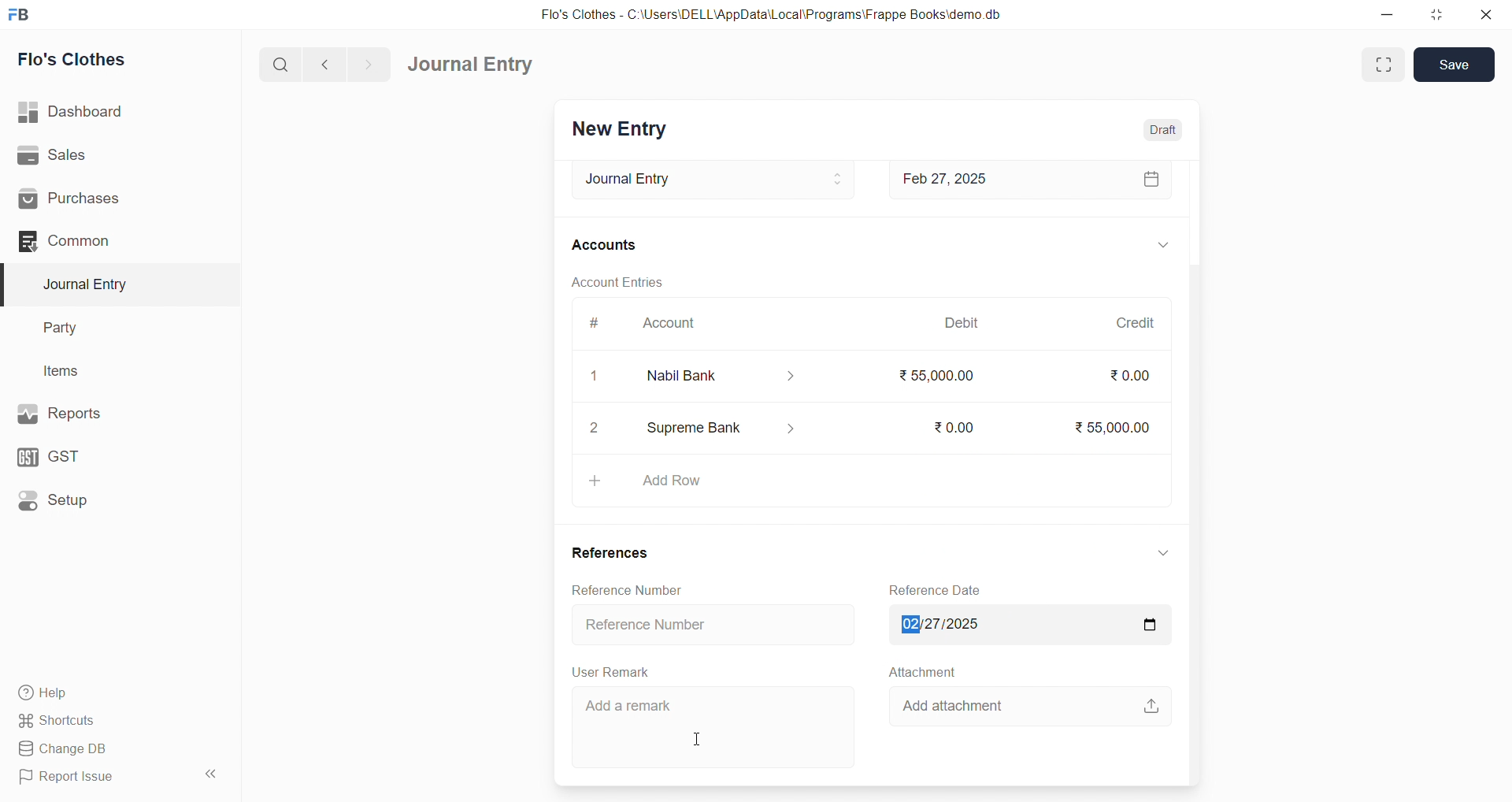  Describe the element at coordinates (1164, 129) in the screenshot. I see `Draft` at that location.